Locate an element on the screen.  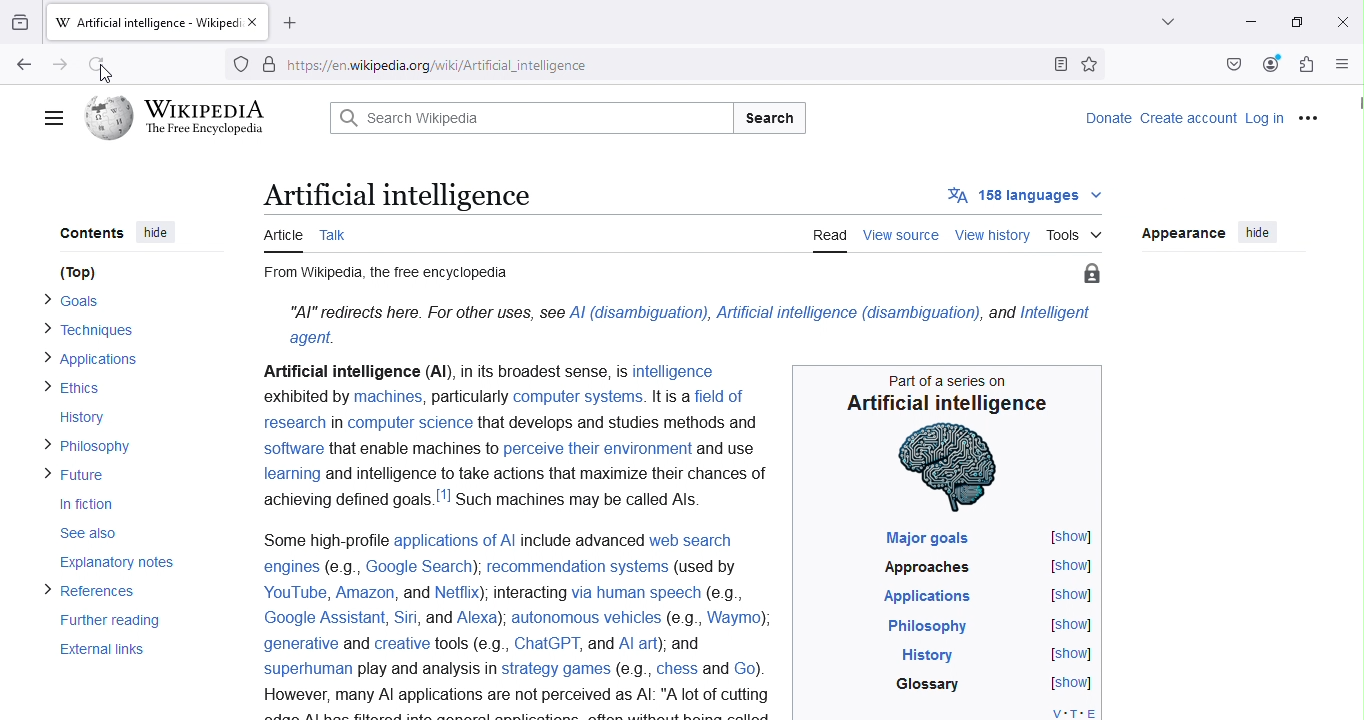
Siri is located at coordinates (404, 618).